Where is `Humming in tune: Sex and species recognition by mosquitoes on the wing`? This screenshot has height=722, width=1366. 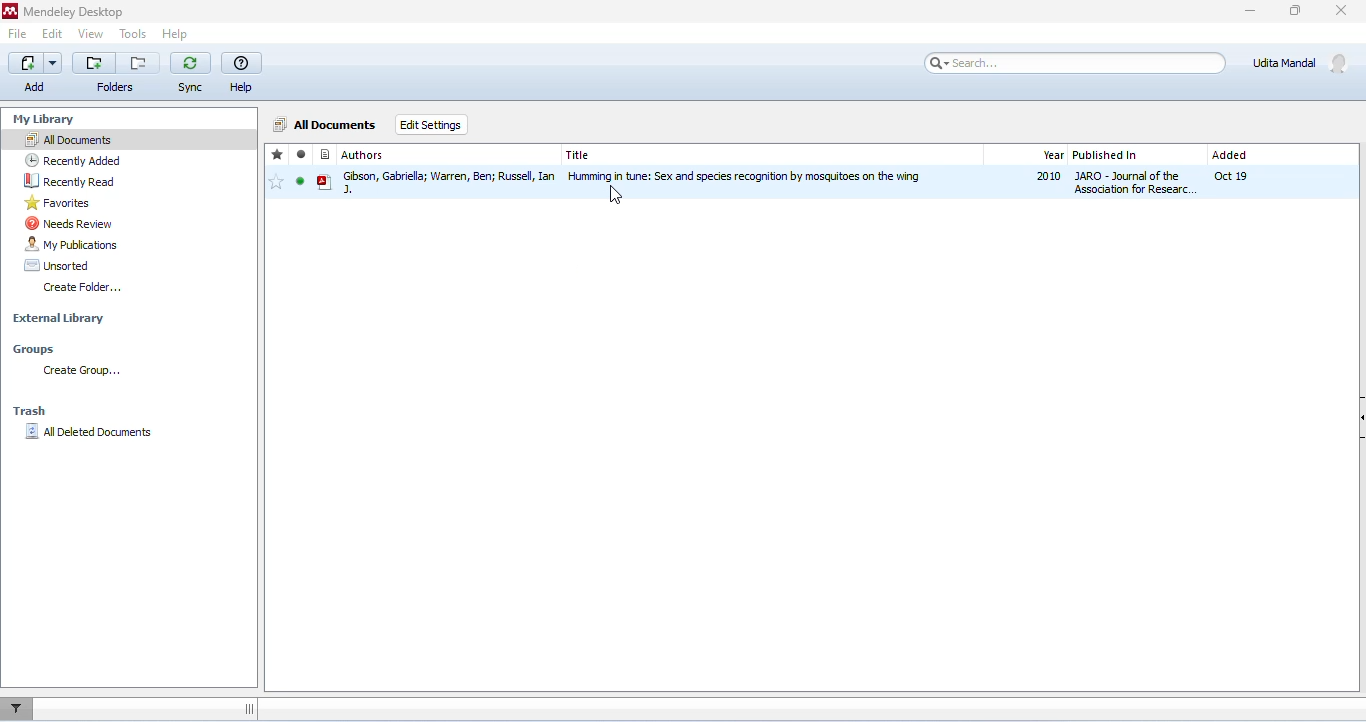
Humming in tune: Sex and species recognition by mosquitoes on the wing is located at coordinates (752, 177).